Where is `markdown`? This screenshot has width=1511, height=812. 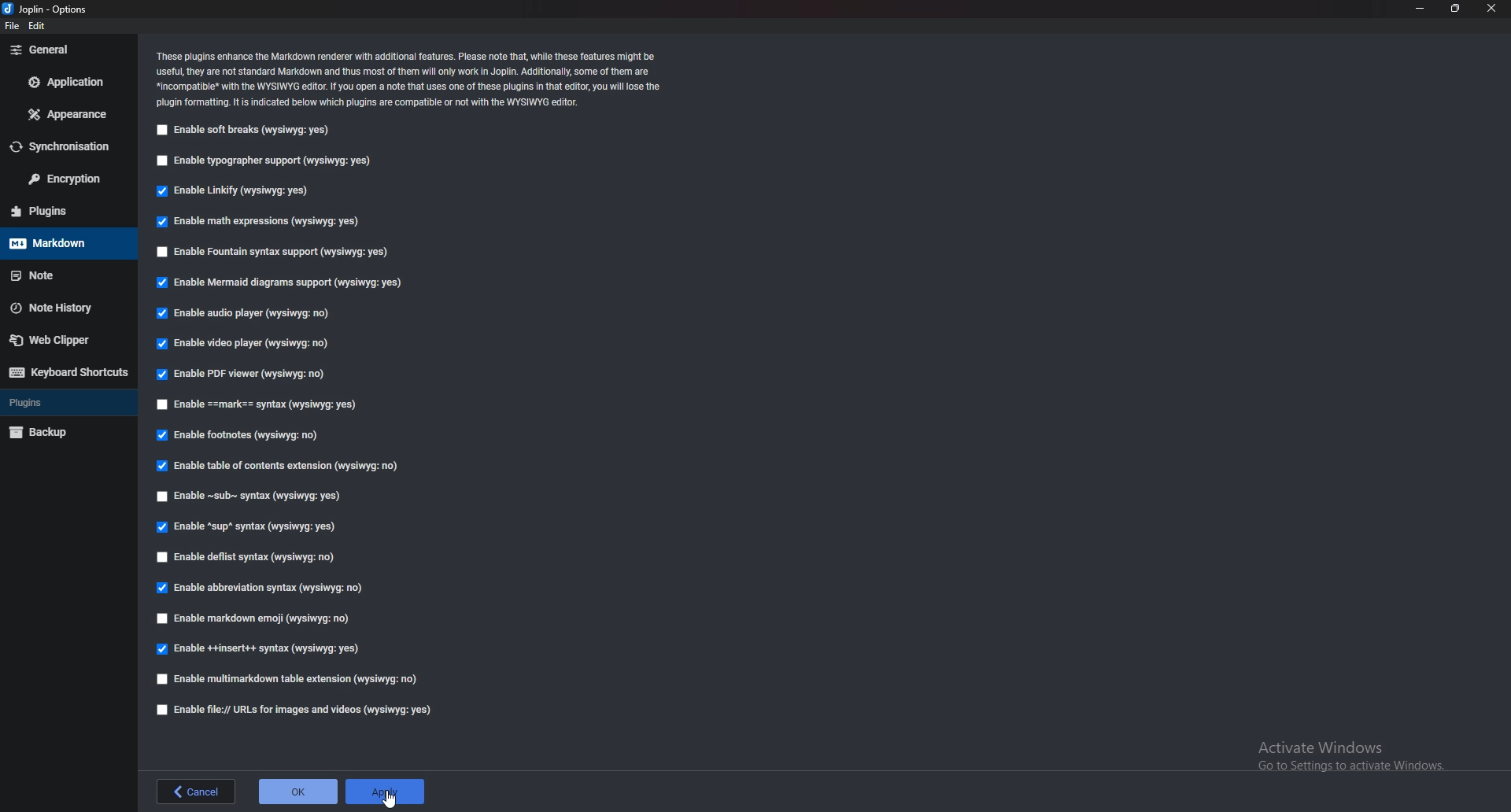 markdown is located at coordinates (66, 243).